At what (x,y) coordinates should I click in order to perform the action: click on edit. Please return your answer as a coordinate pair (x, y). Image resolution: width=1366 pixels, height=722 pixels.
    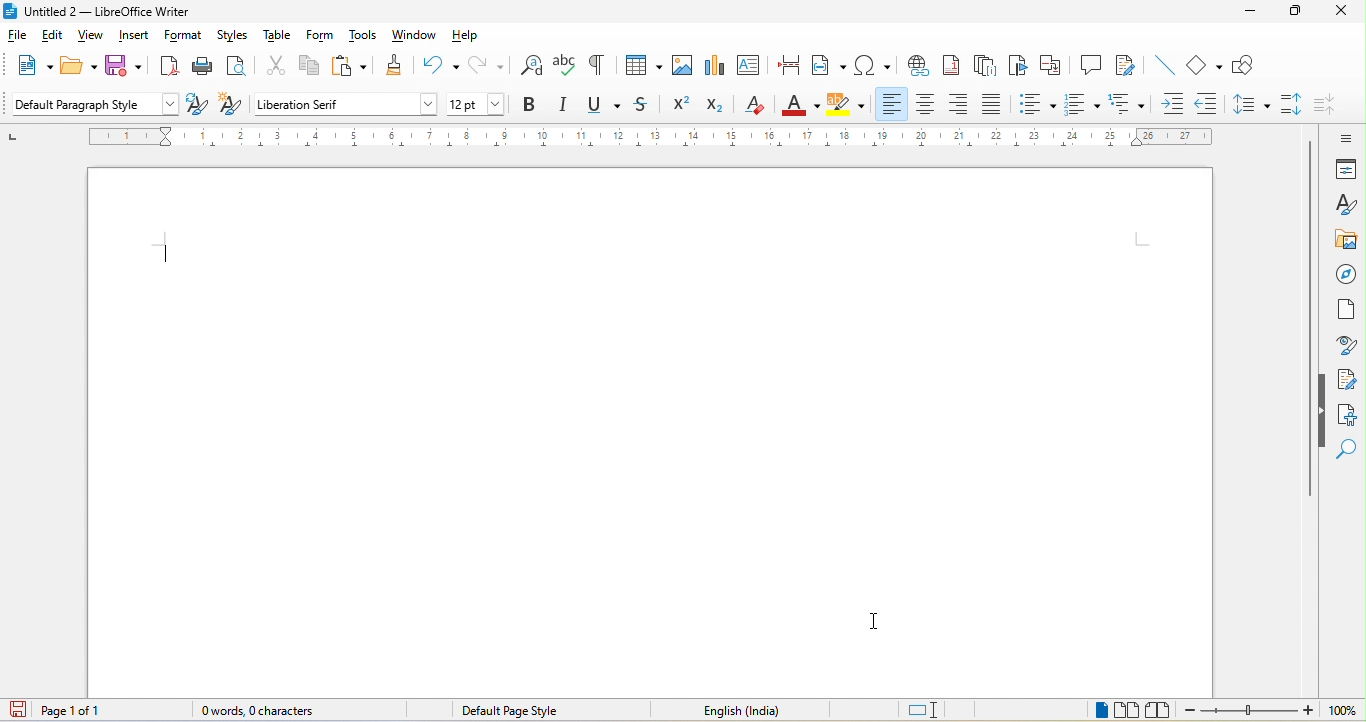
    Looking at the image, I should click on (56, 38).